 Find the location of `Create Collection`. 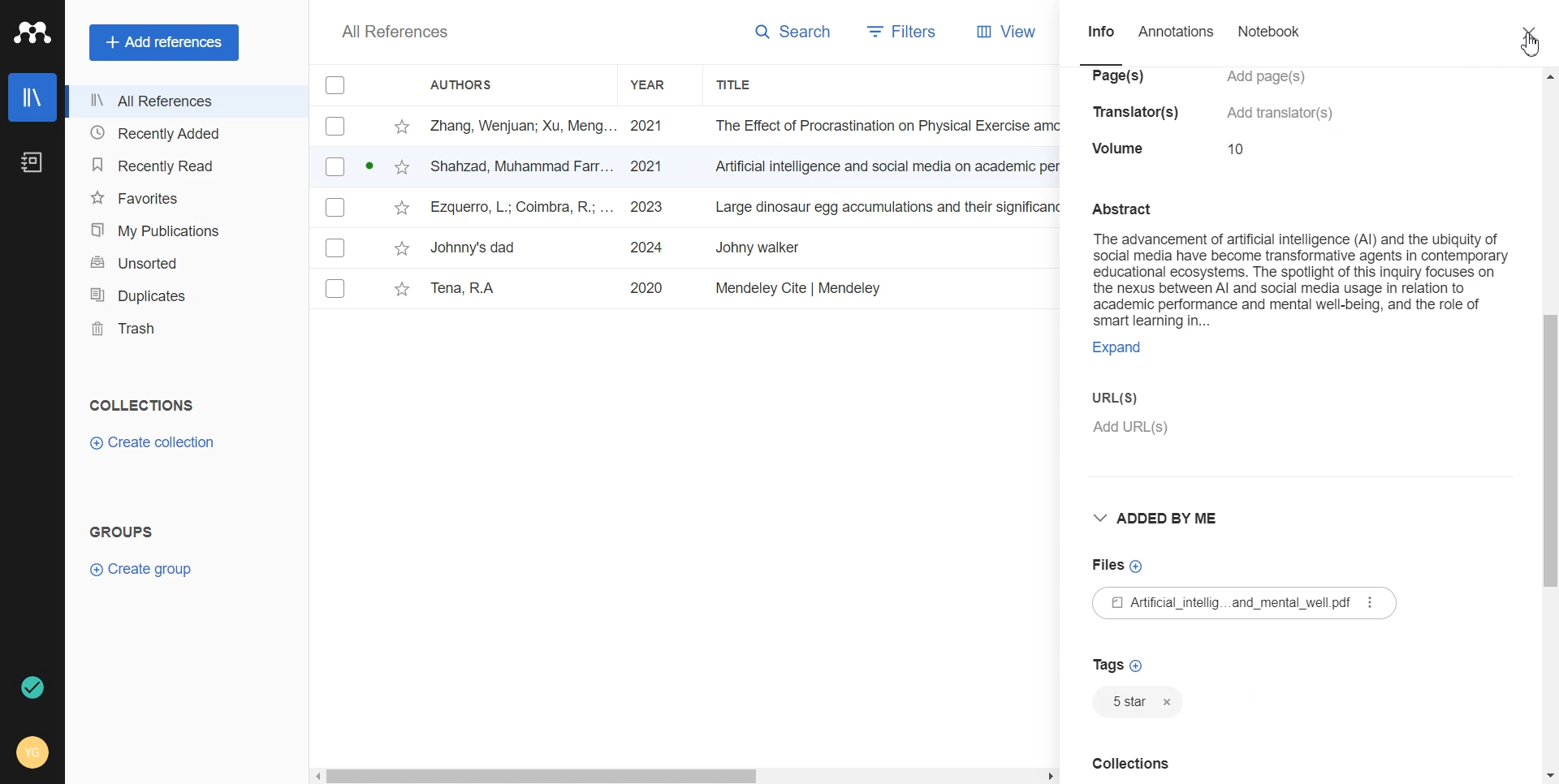

Create Collection is located at coordinates (154, 443).